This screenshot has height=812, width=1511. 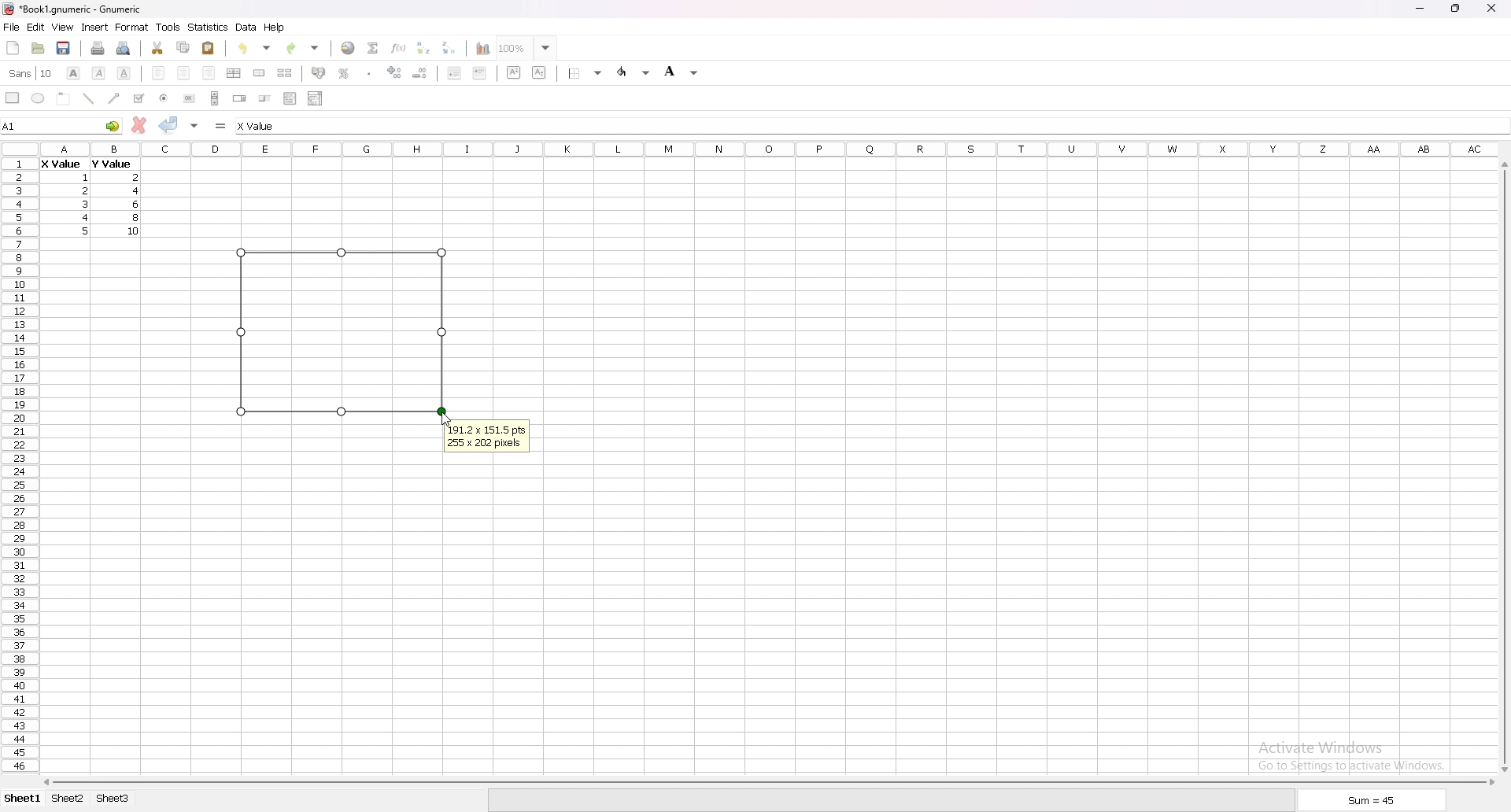 What do you see at coordinates (480, 72) in the screenshot?
I see `increase indent` at bounding box center [480, 72].